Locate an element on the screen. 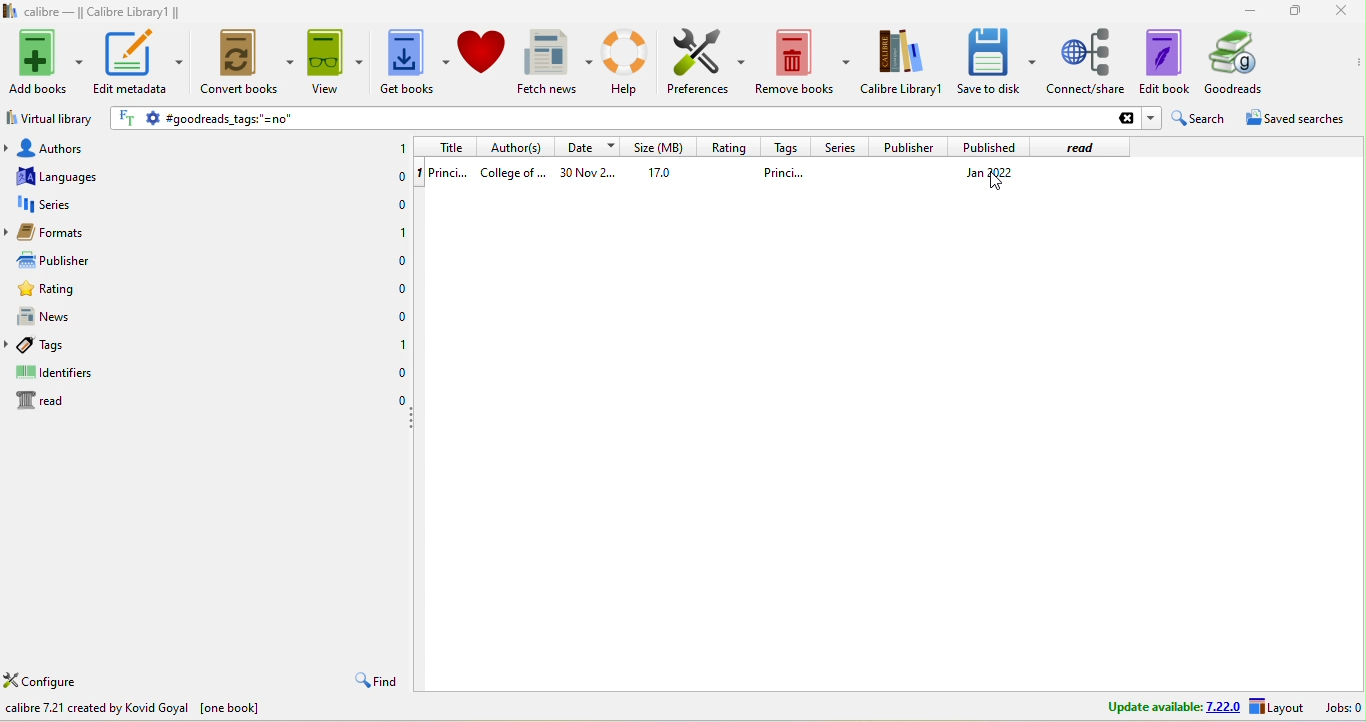  saved searches is located at coordinates (1292, 118).